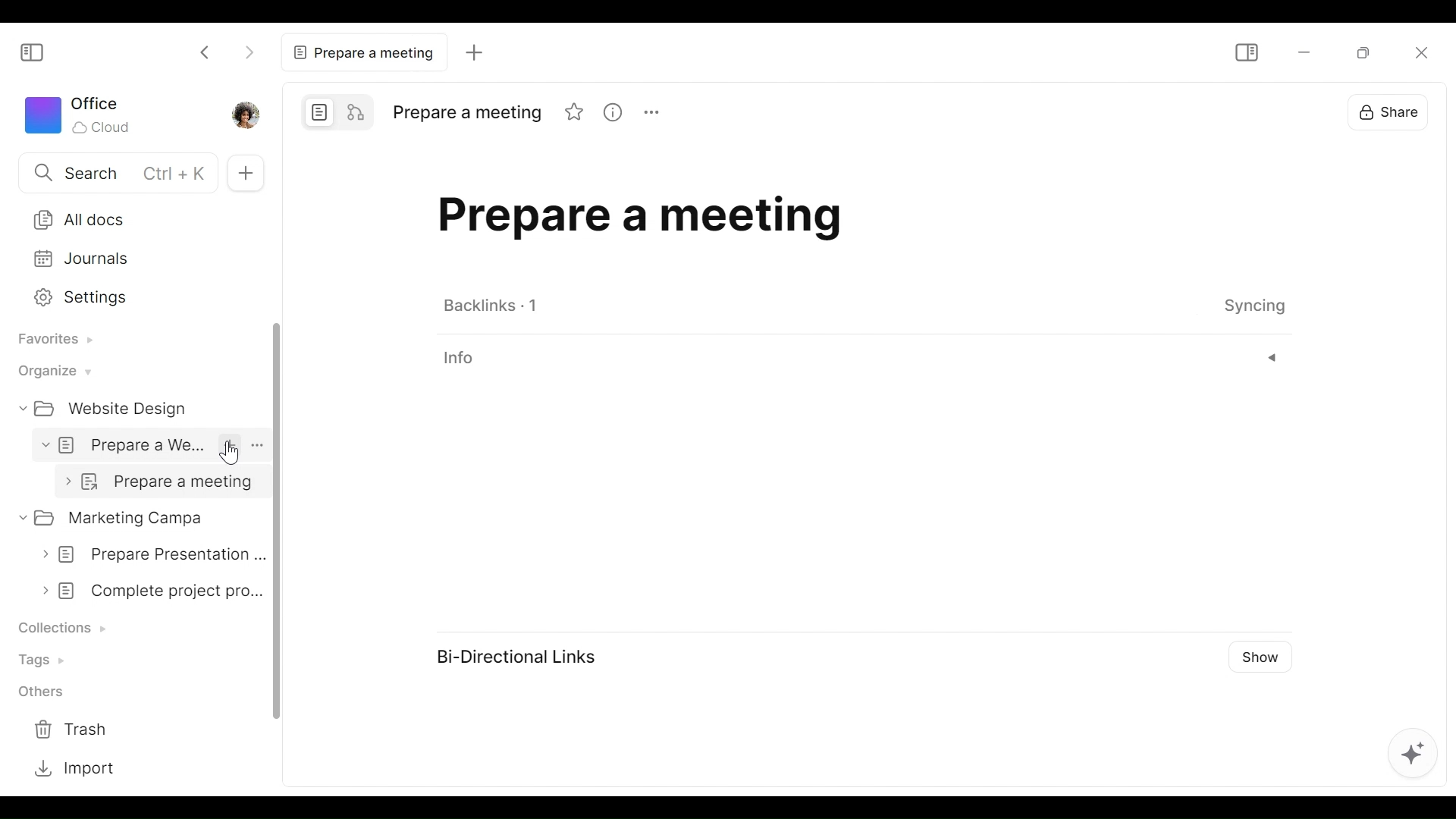  I want to click on Syncing, so click(1252, 307).